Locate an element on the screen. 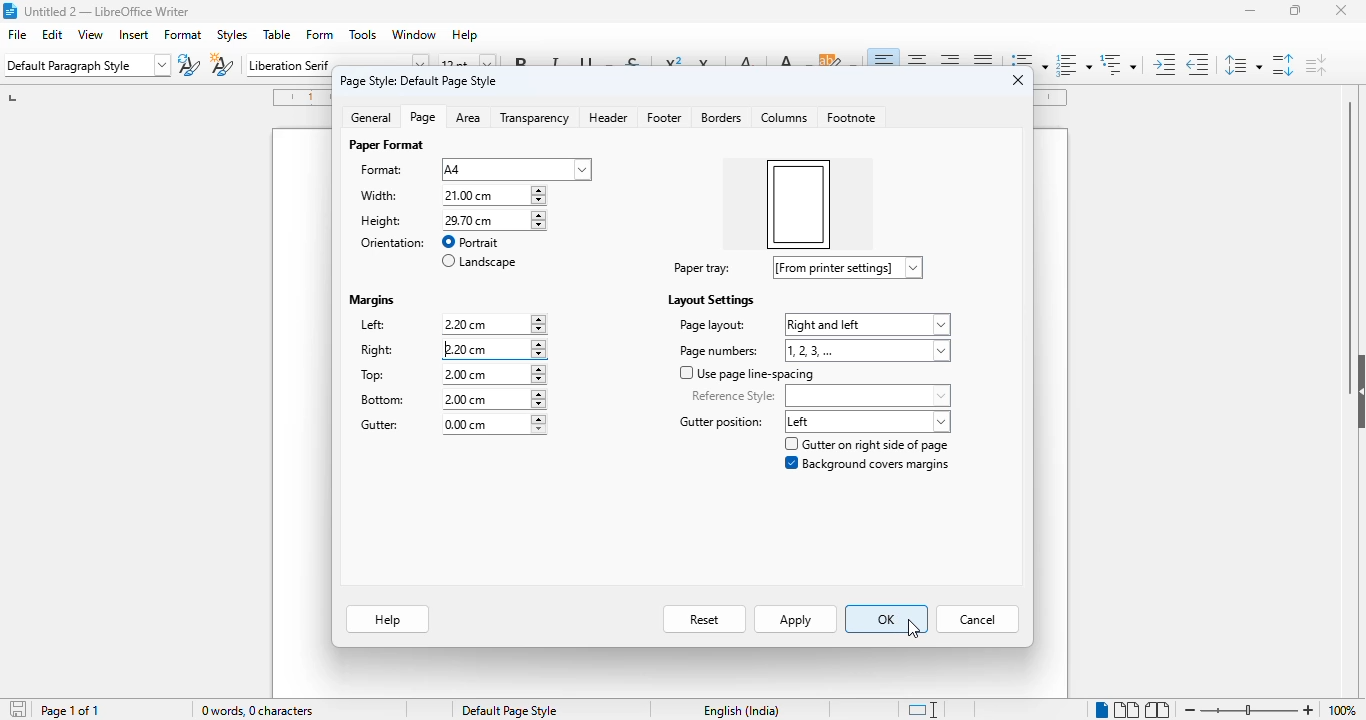 The height and width of the screenshot is (720, 1366). footer is located at coordinates (663, 117).